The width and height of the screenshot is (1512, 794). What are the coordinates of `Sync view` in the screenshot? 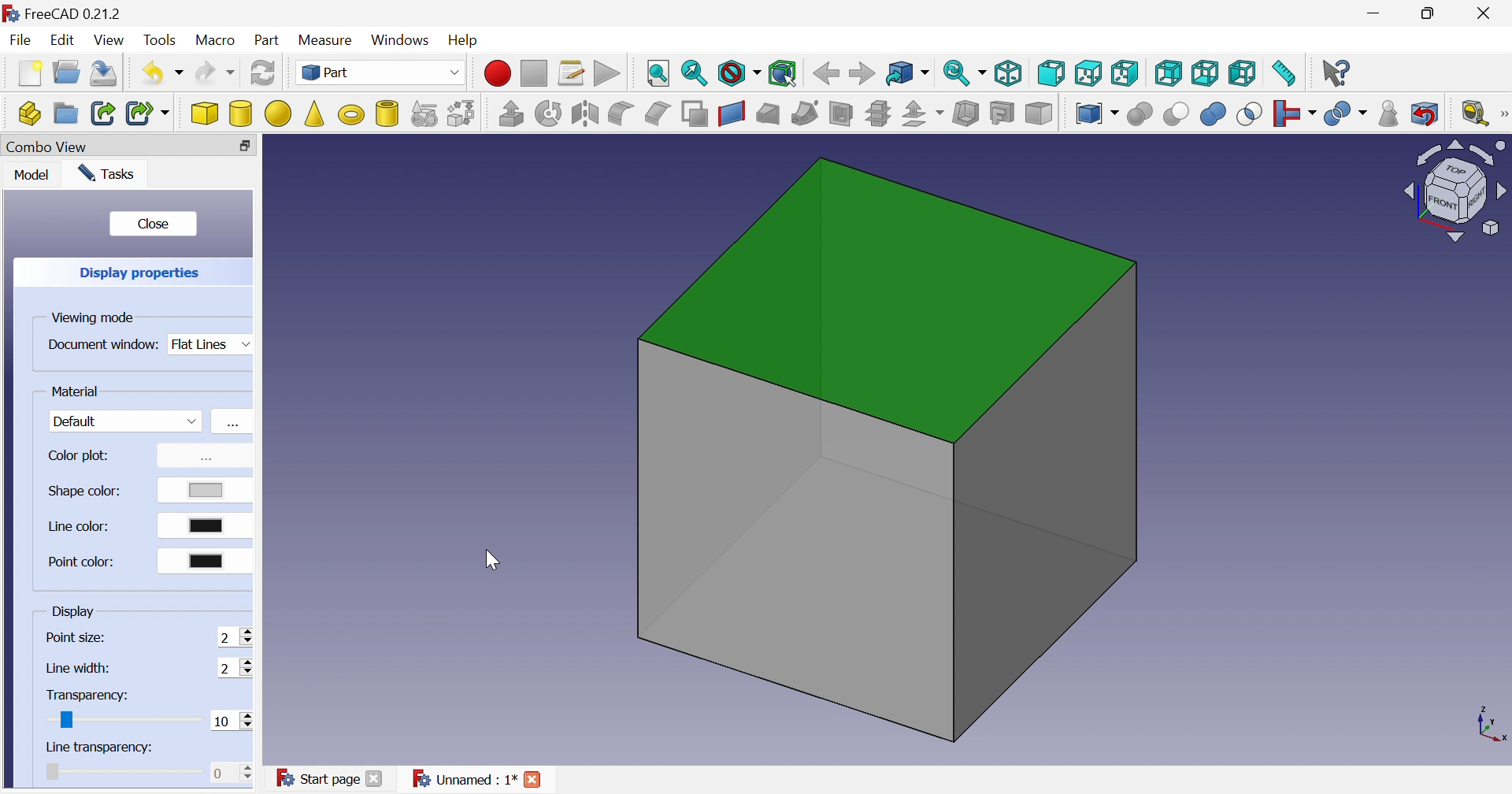 It's located at (963, 72).